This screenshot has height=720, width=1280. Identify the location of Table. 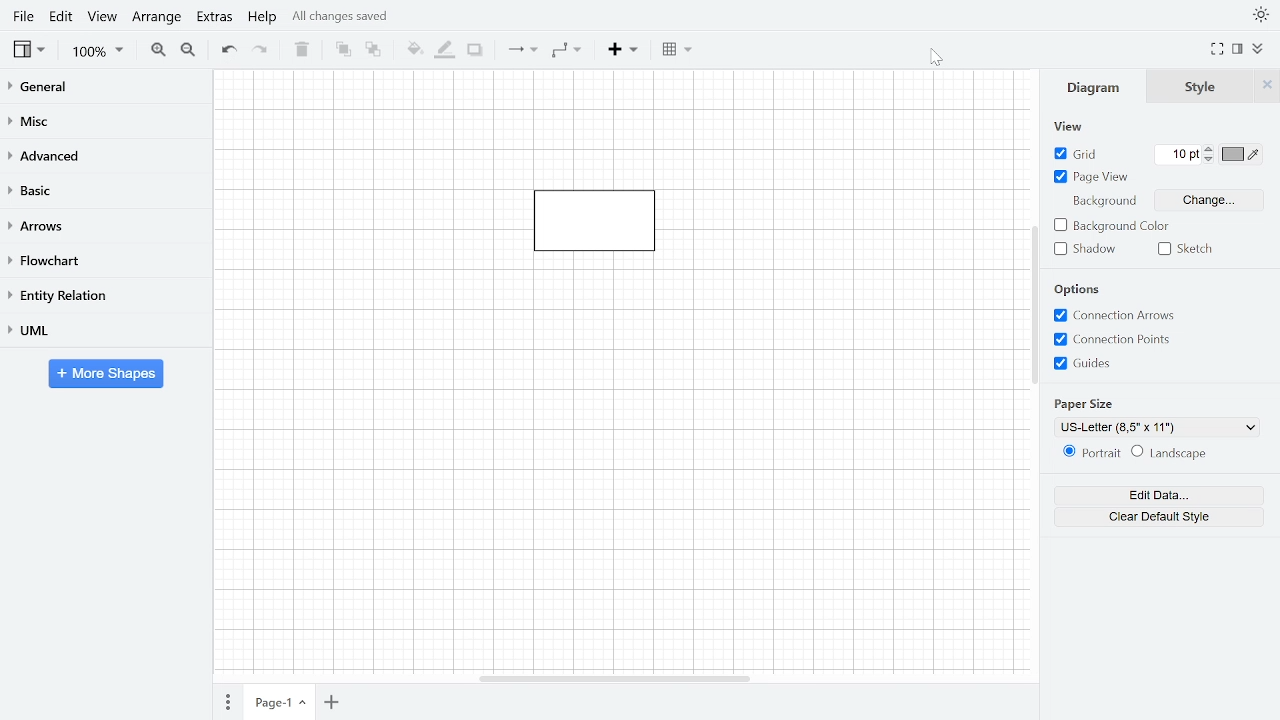
(680, 50).